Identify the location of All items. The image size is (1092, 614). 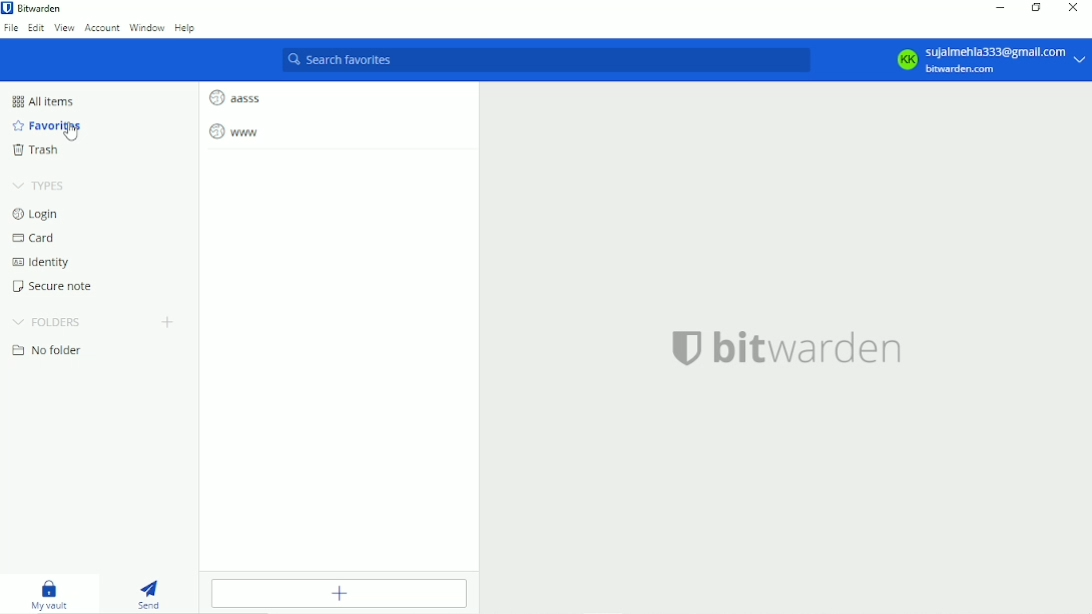
(46, 102).